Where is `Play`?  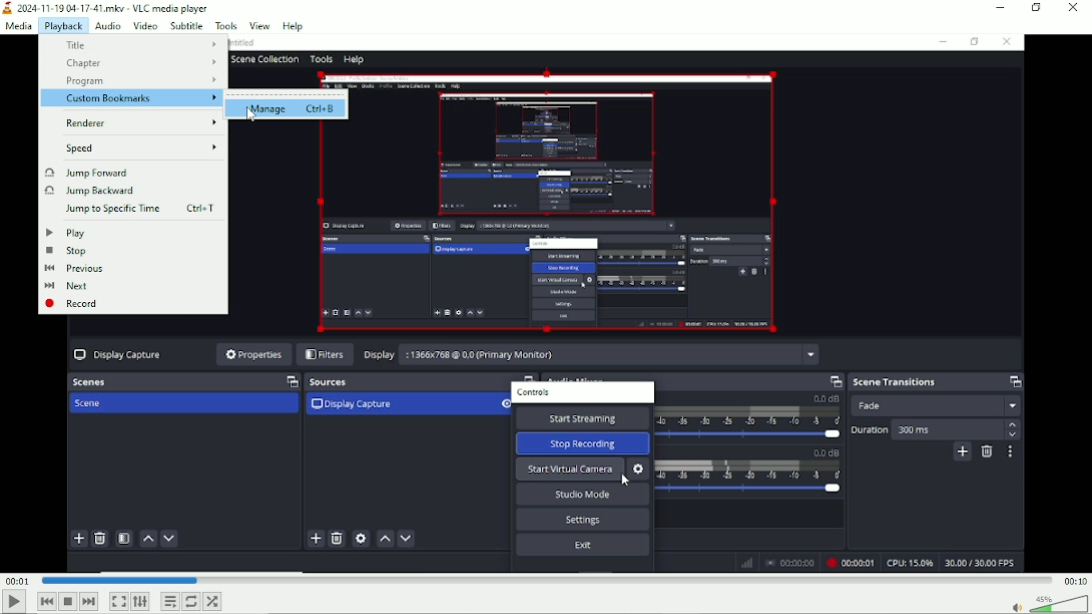 Play is located at coordinates (66, 233).